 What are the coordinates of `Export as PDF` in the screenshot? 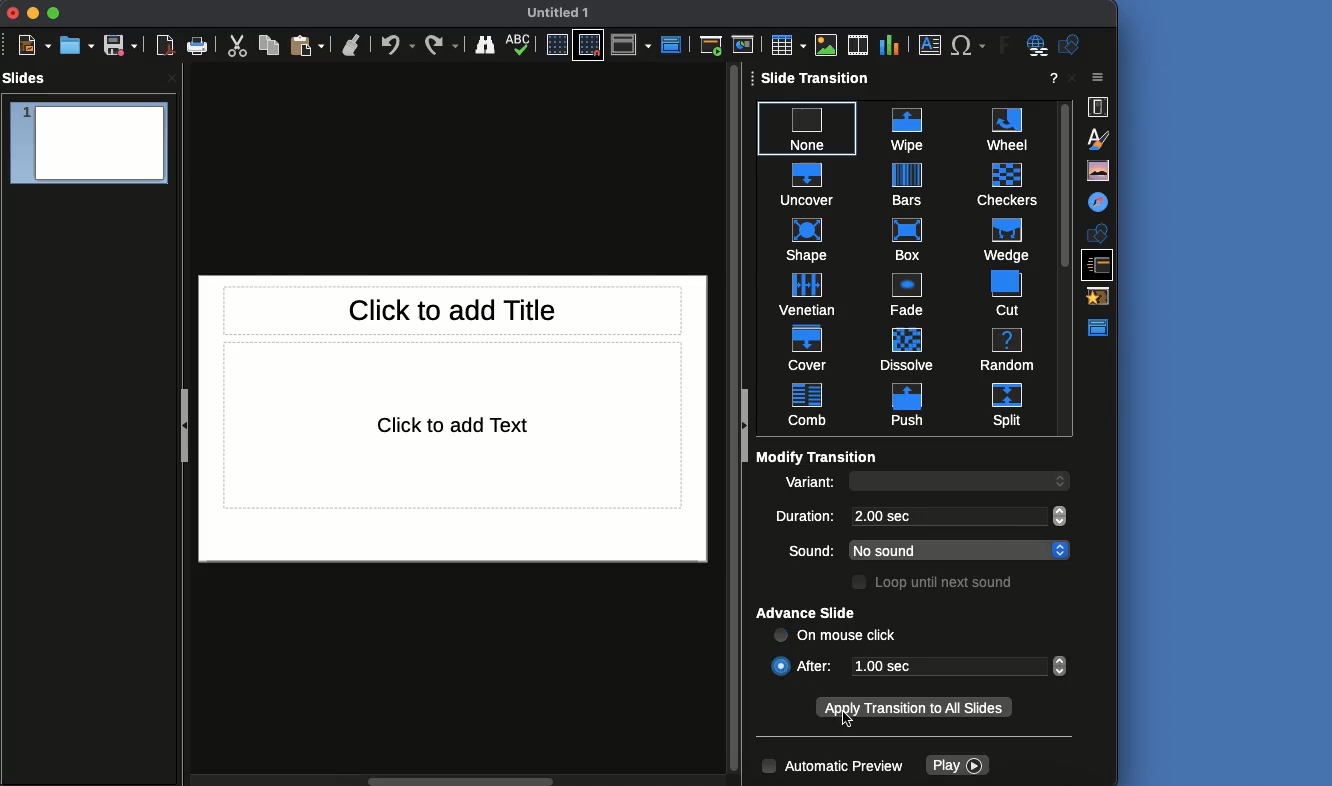 It's located at (166, 46).